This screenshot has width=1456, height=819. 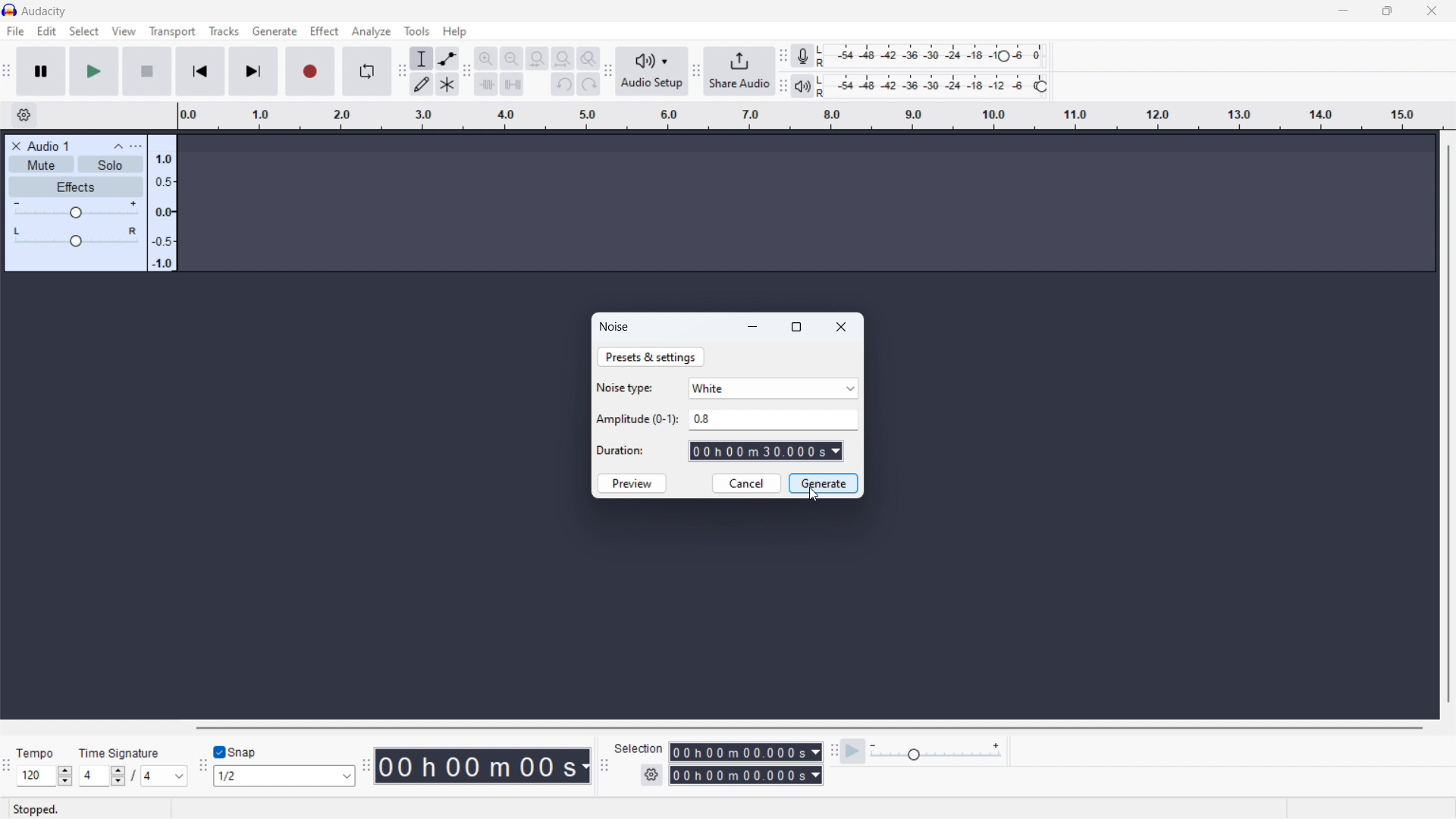 What do you see at coordinates (747, 483) in the screenshot?
I see `cancel` at bounding box center [747, 483].